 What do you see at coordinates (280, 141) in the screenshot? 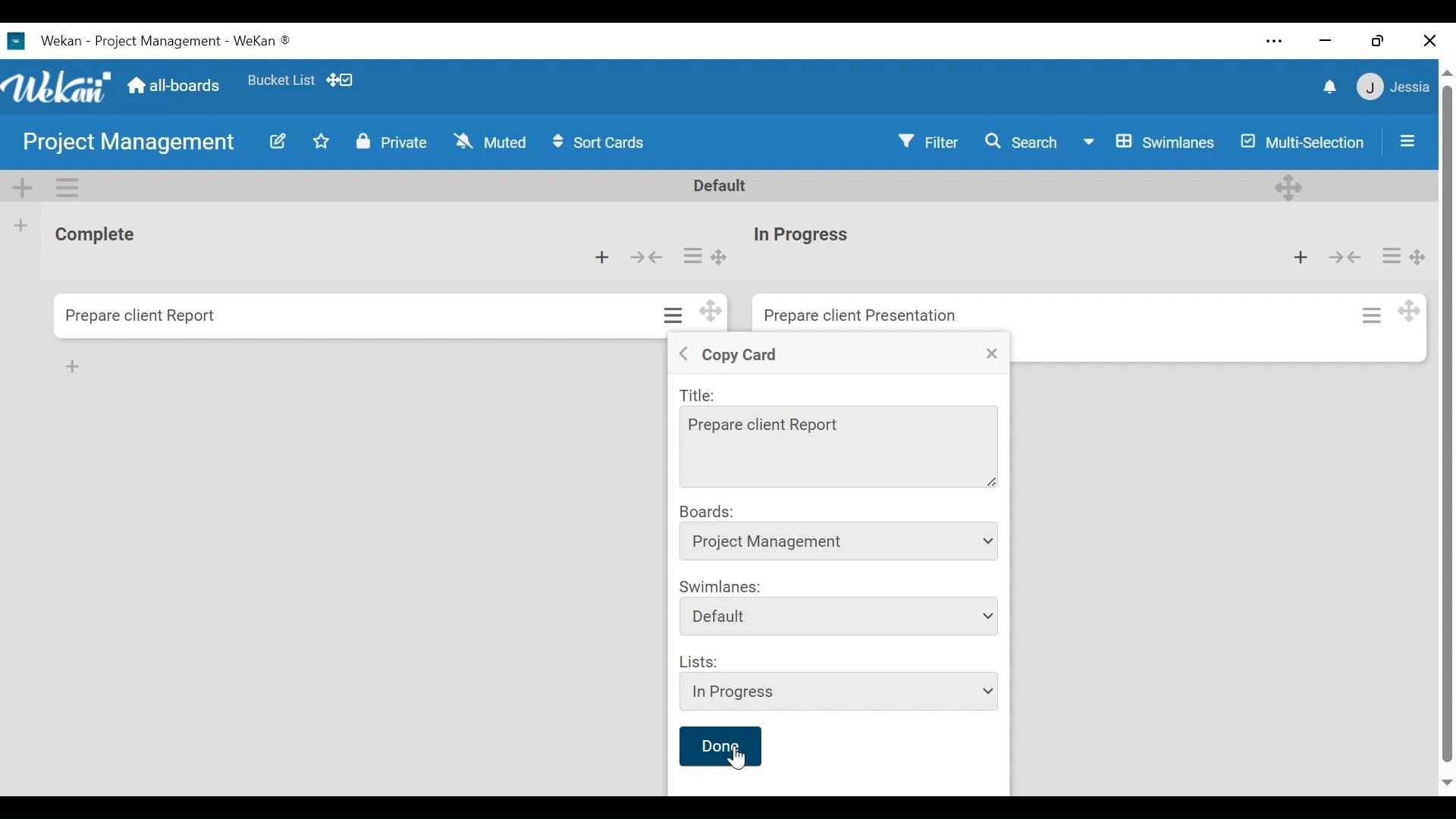
I see `Edit` at bounding box center [280, 141].